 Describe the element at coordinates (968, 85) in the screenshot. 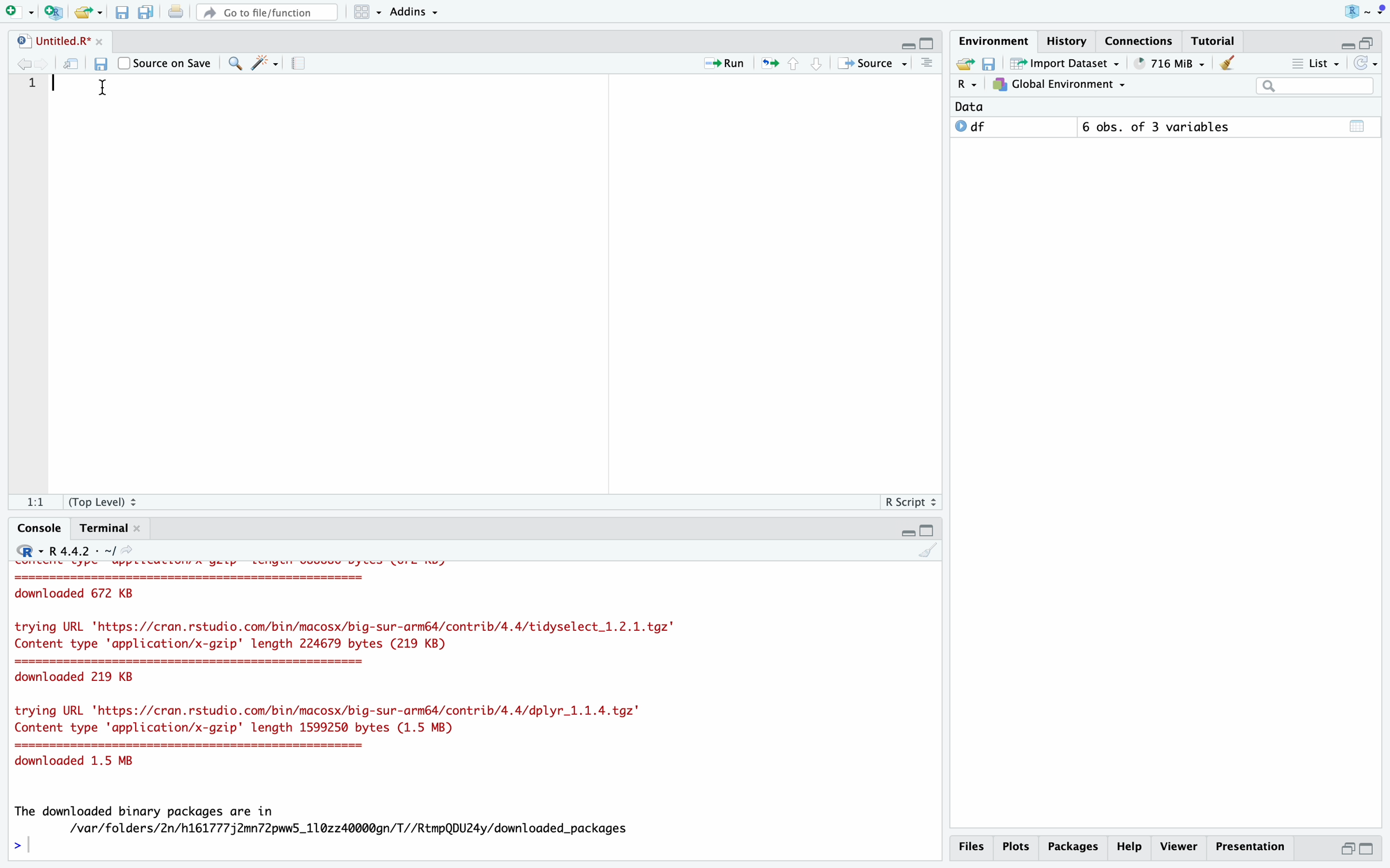

I see `R` at that location.